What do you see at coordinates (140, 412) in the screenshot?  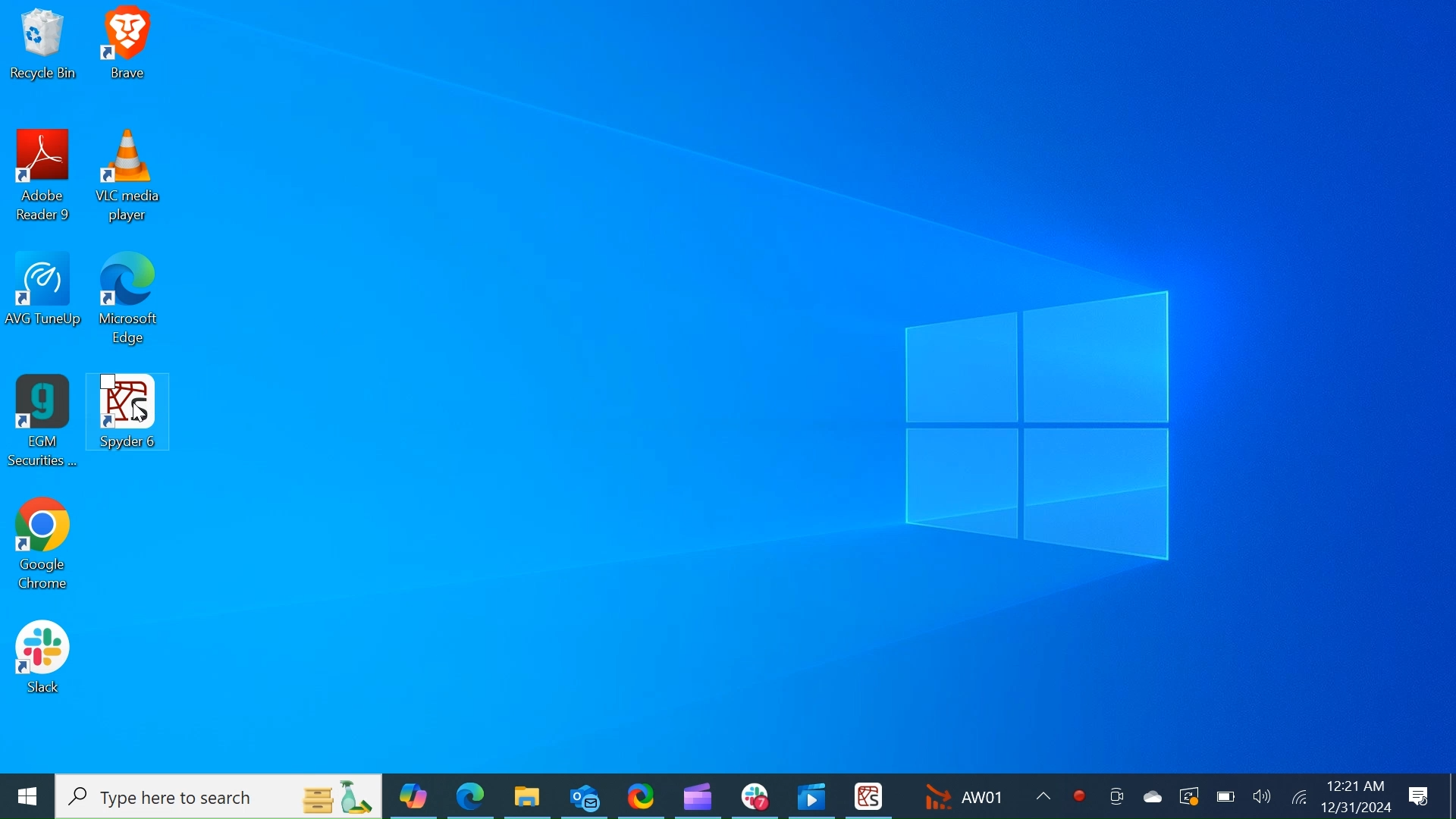 I see `cursor` at bounding box center [140, 412].